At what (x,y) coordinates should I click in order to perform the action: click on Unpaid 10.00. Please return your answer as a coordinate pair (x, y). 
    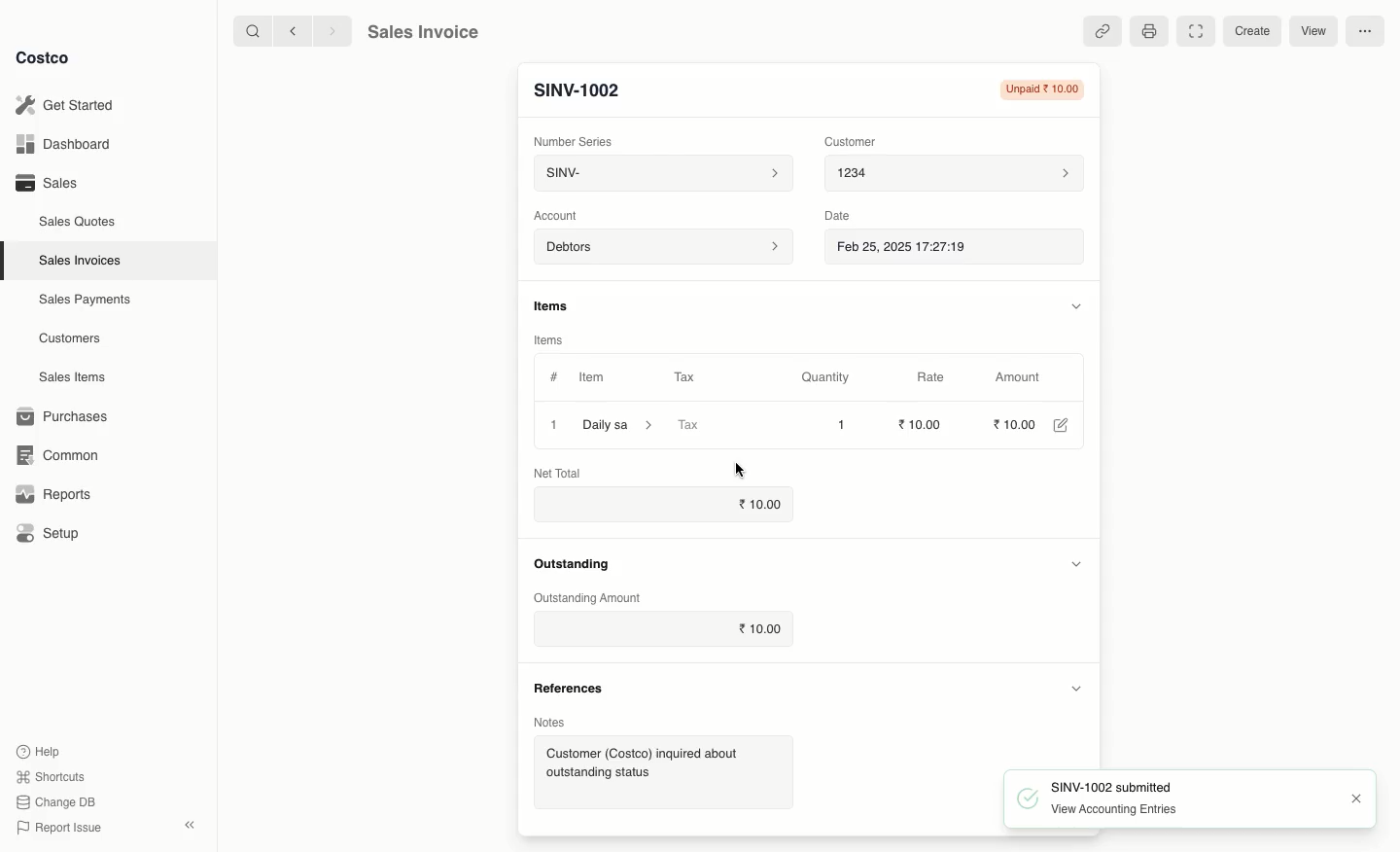
    Looking at the image, I should click on (1043, 89).